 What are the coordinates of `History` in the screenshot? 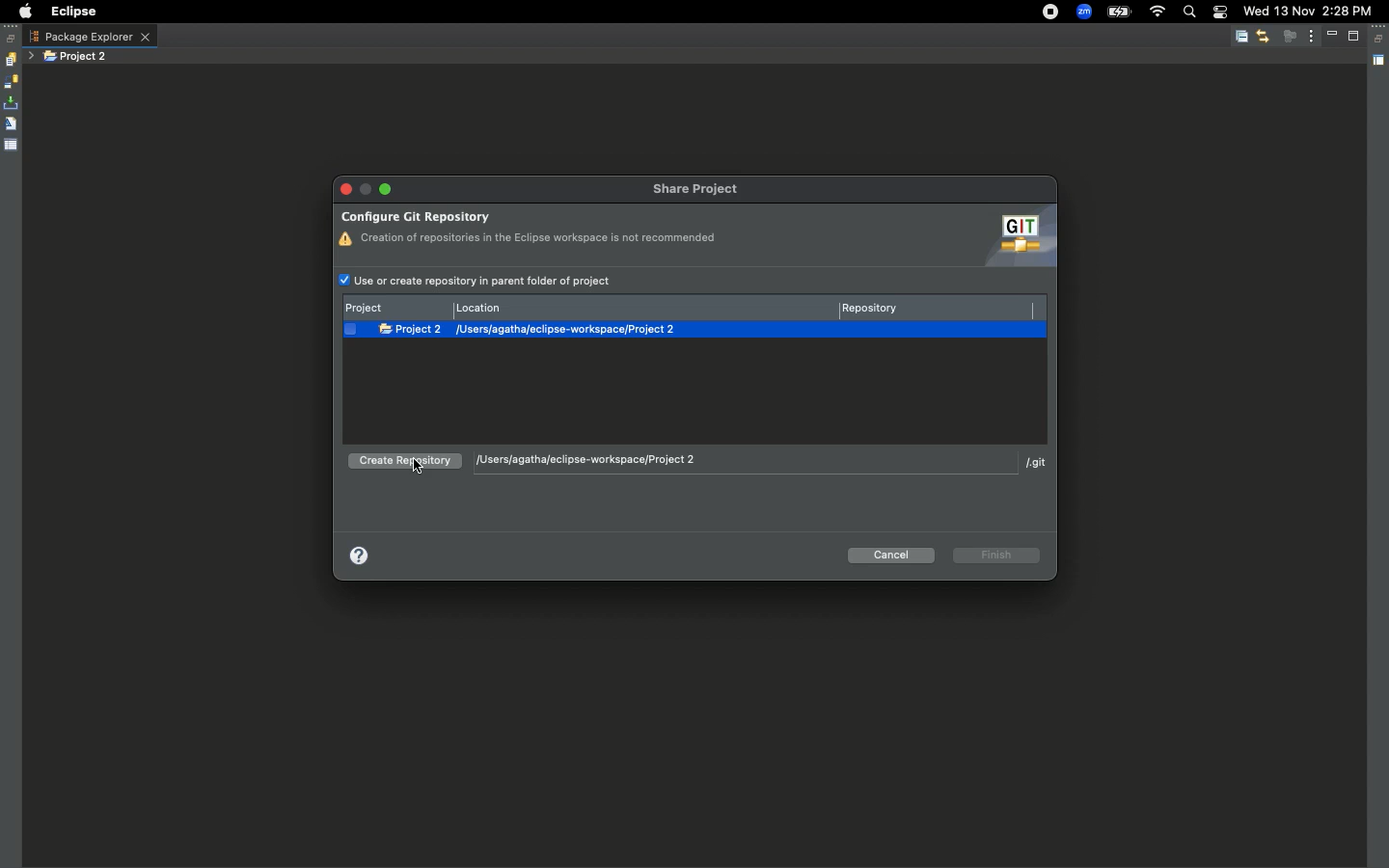 It's located at (10, 60).